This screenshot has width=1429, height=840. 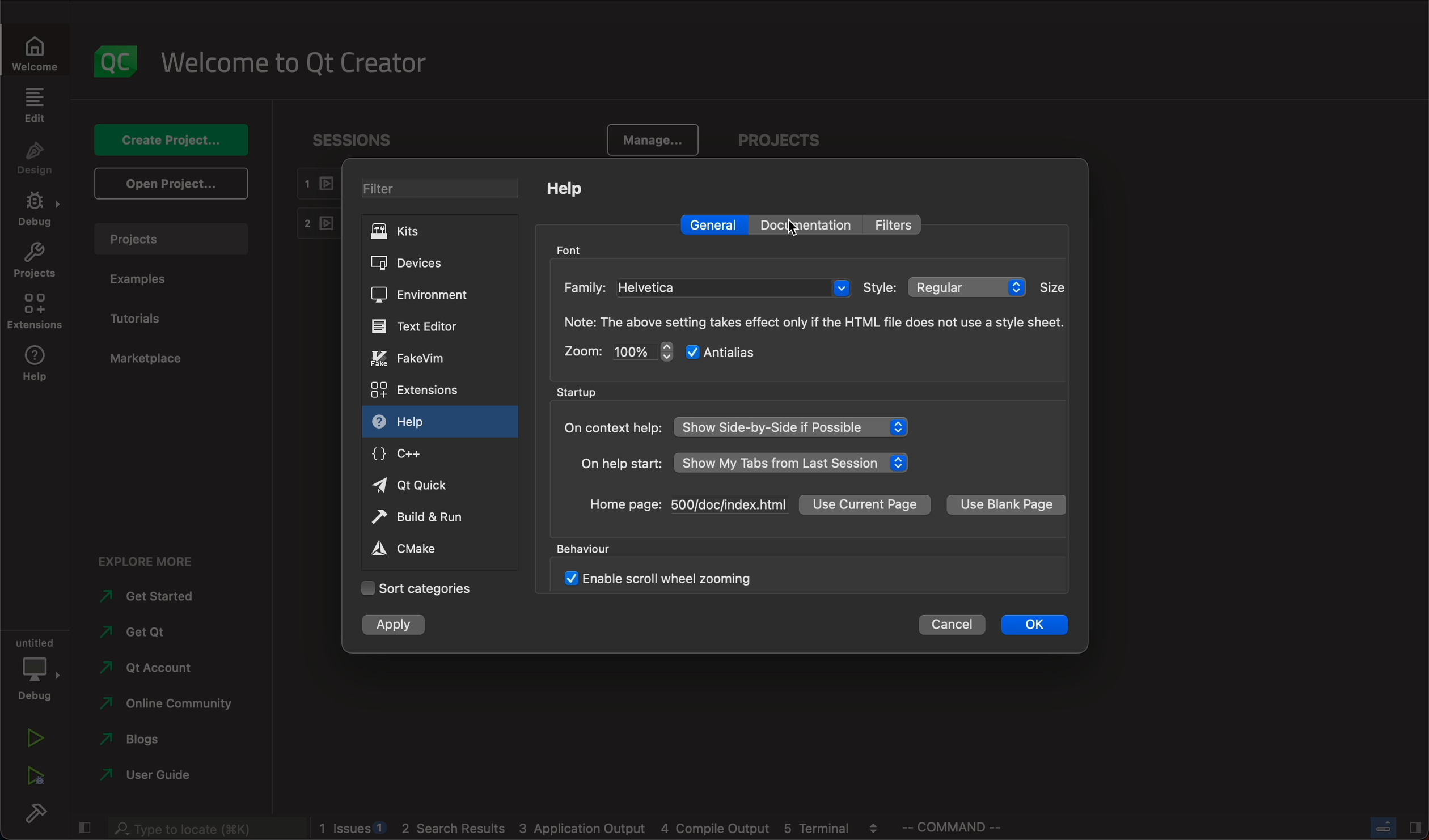 What do you see at coordinates (735, 462) in the screenshot?
I see `help start` at bounding box center [735, 462].